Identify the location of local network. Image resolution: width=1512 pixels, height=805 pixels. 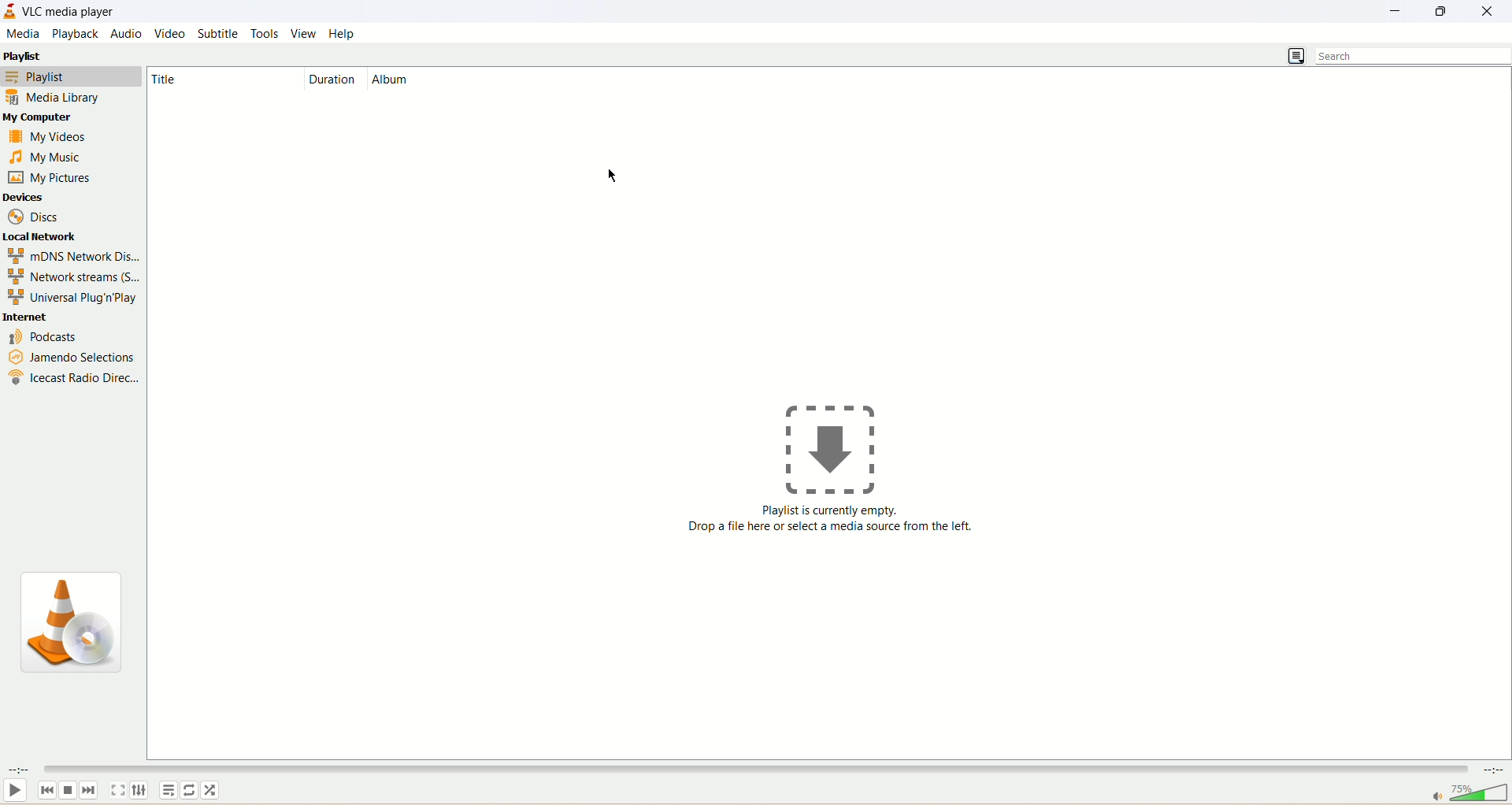
(43, 236).